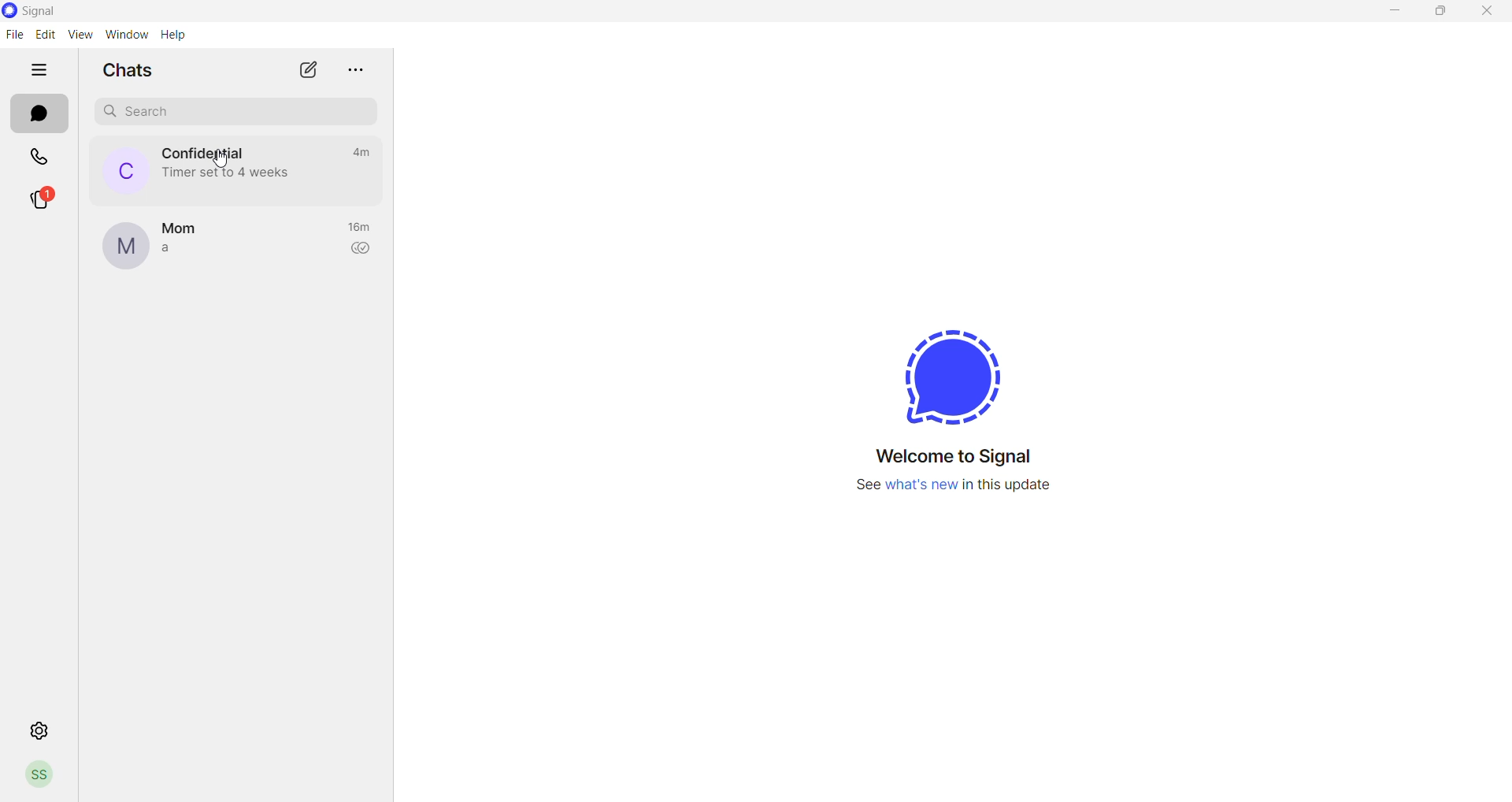 The image size is (1512, 802). What do you see at coordinates (124, 247) in the screenshot?
I see `profile picture` at bounding box center [124, 247].